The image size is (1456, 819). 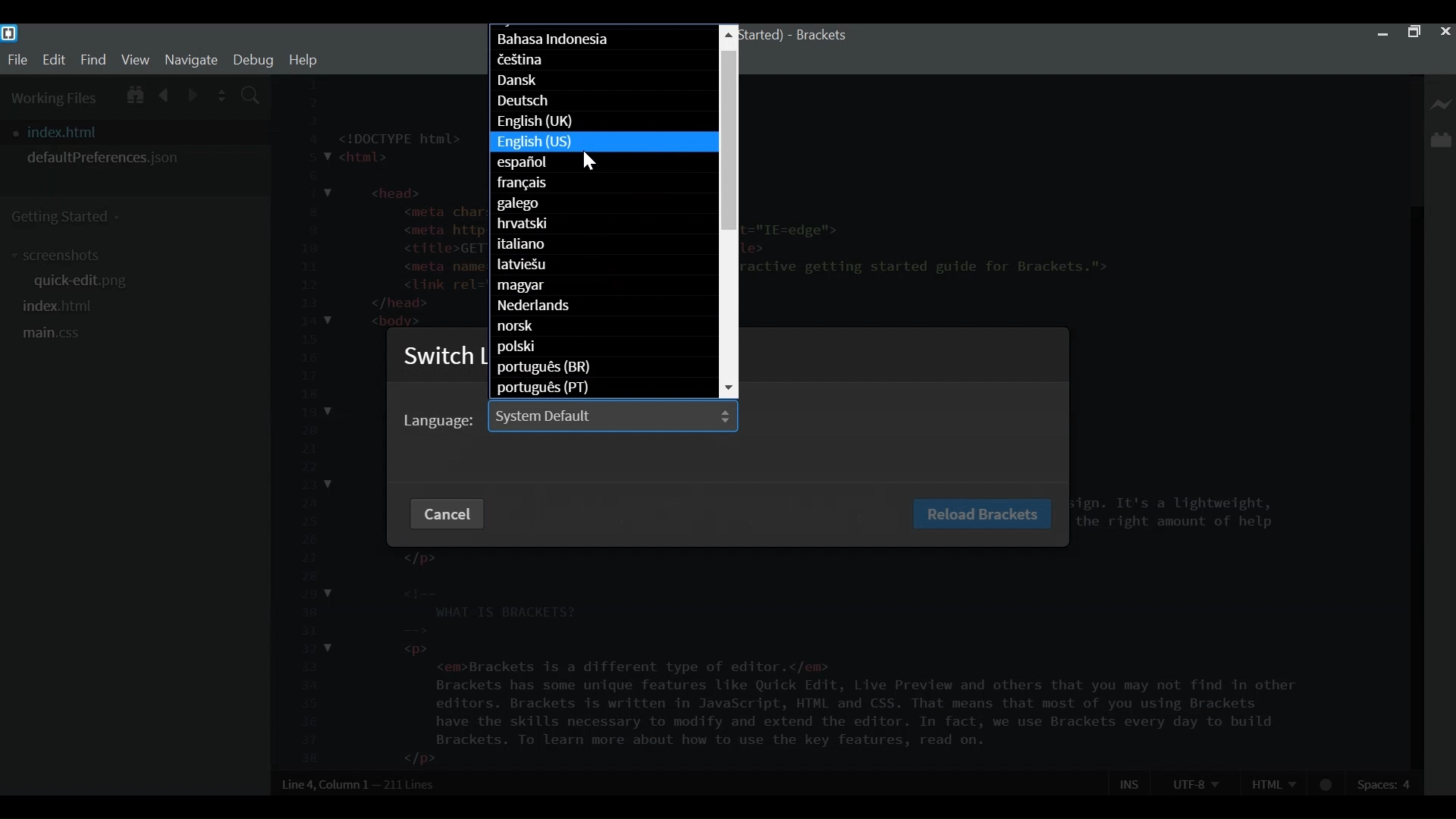 I want to click on screenshots, so click(x=60, y=256).